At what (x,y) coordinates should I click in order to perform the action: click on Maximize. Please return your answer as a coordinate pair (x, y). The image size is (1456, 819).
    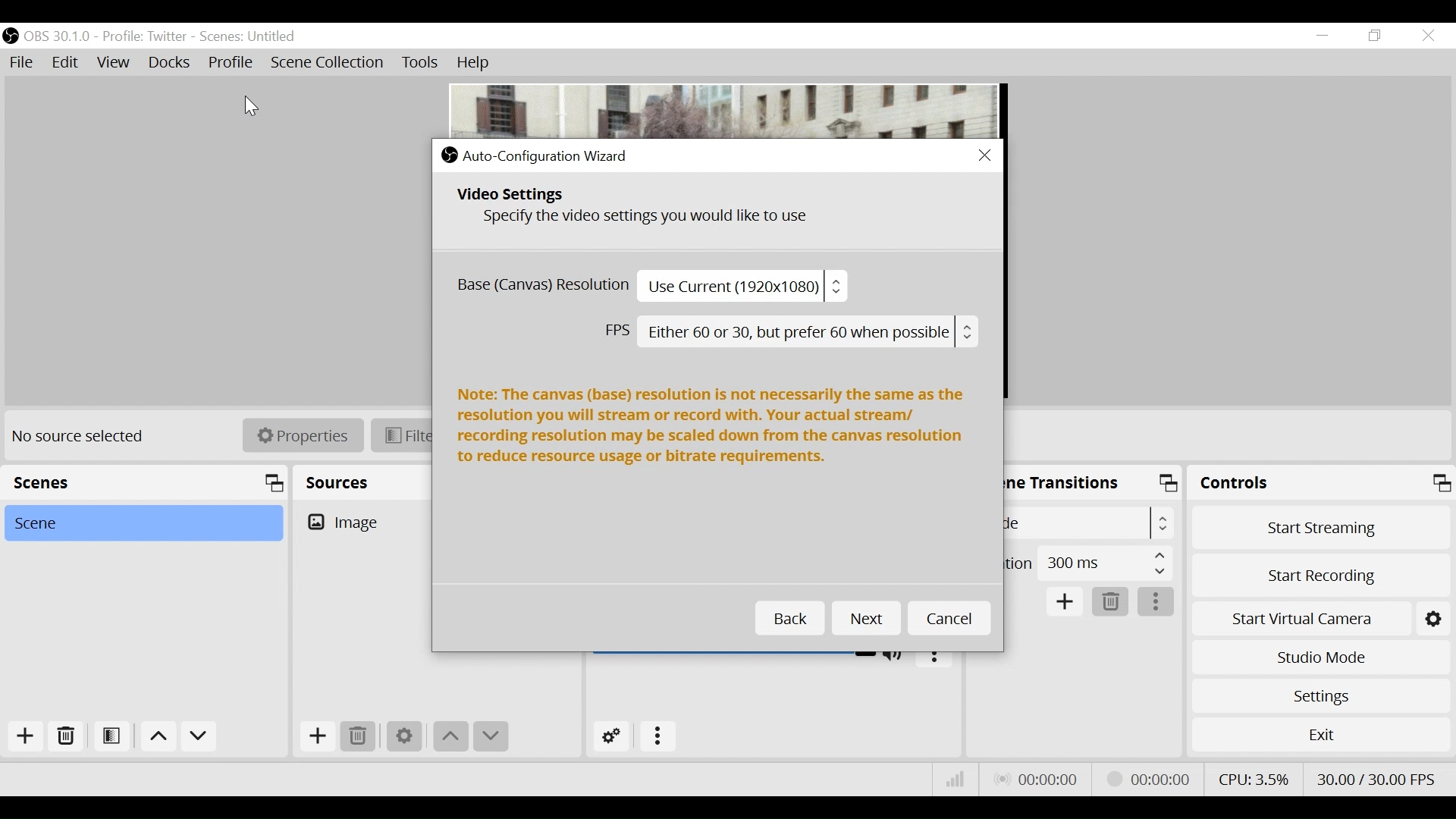
    Looking at the image, I should click on (1171, 486).